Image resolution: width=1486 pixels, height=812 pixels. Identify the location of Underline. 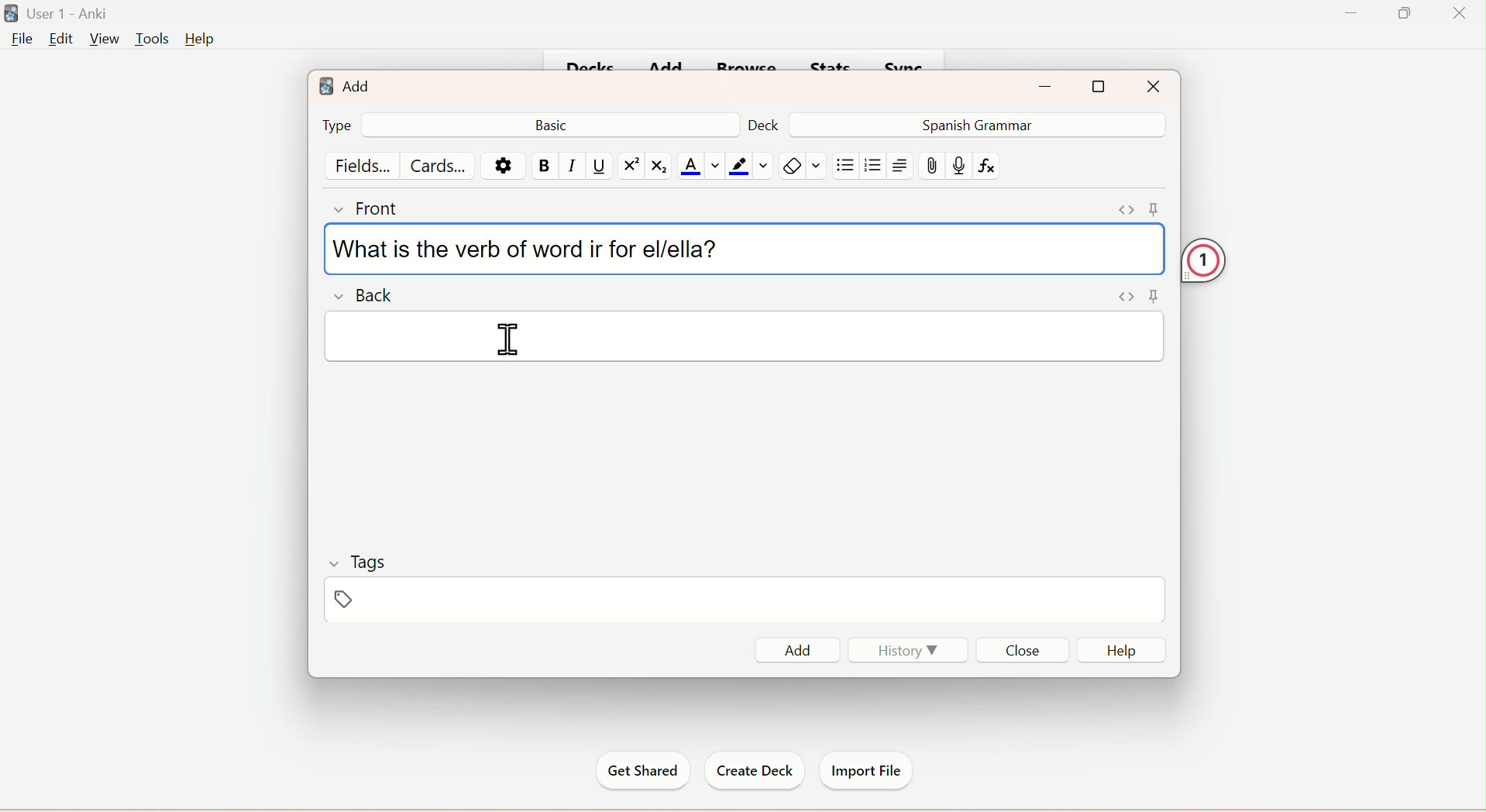
(600, 167).